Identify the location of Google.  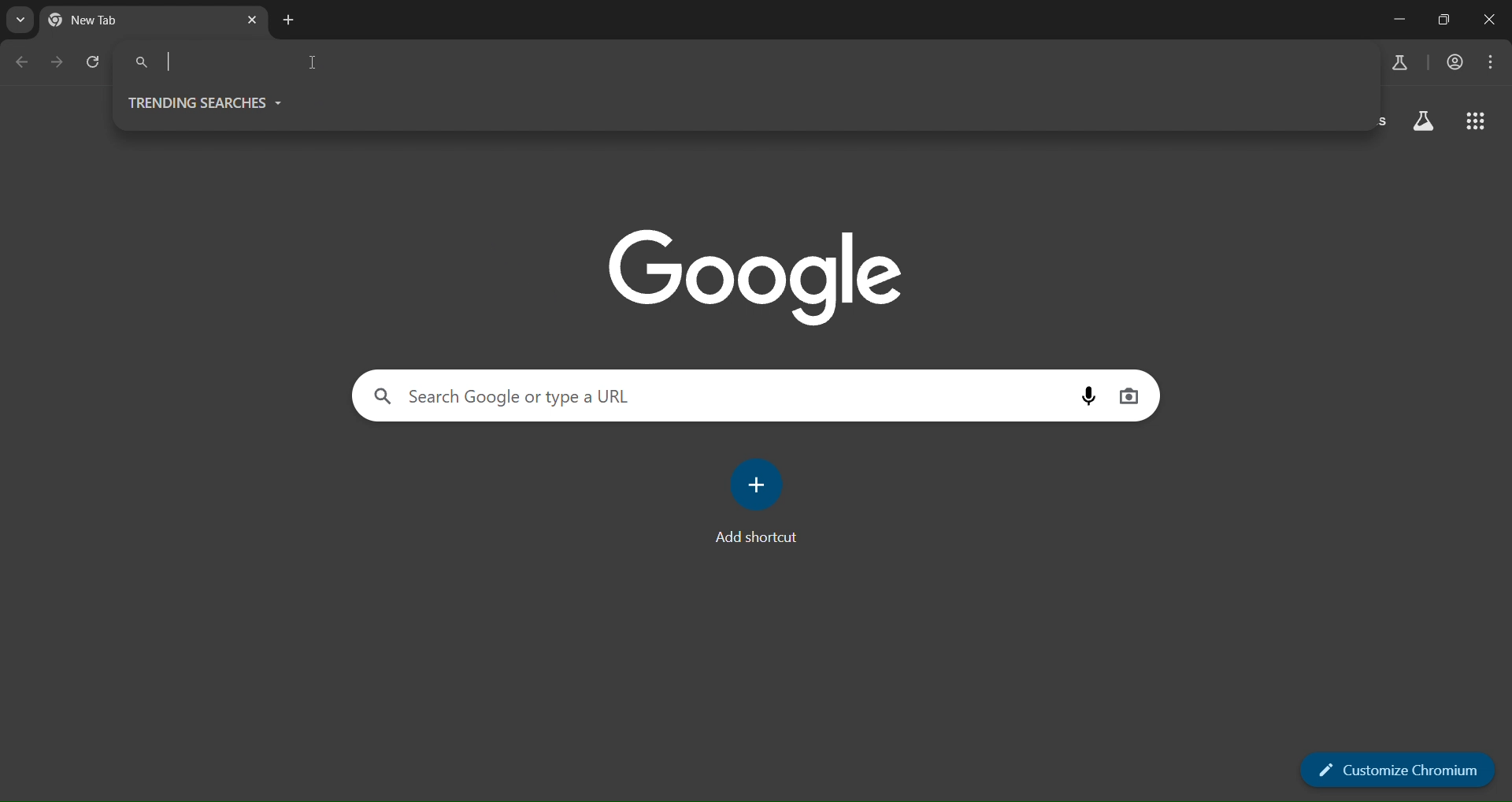
(755, 273).